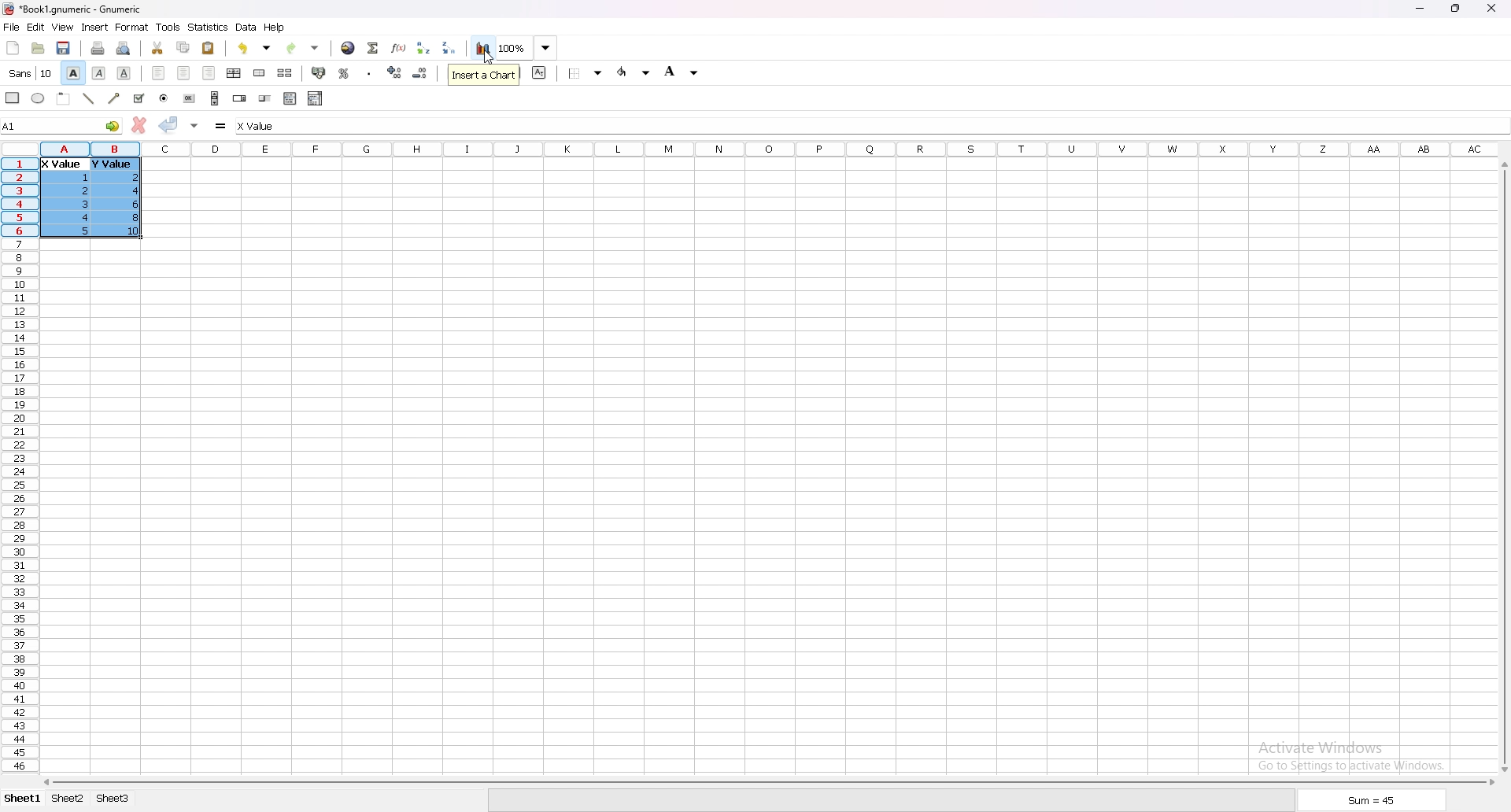 The width and height of the screenshot is (1511, 812). I want to click on hyperlink, so click(348, 48).